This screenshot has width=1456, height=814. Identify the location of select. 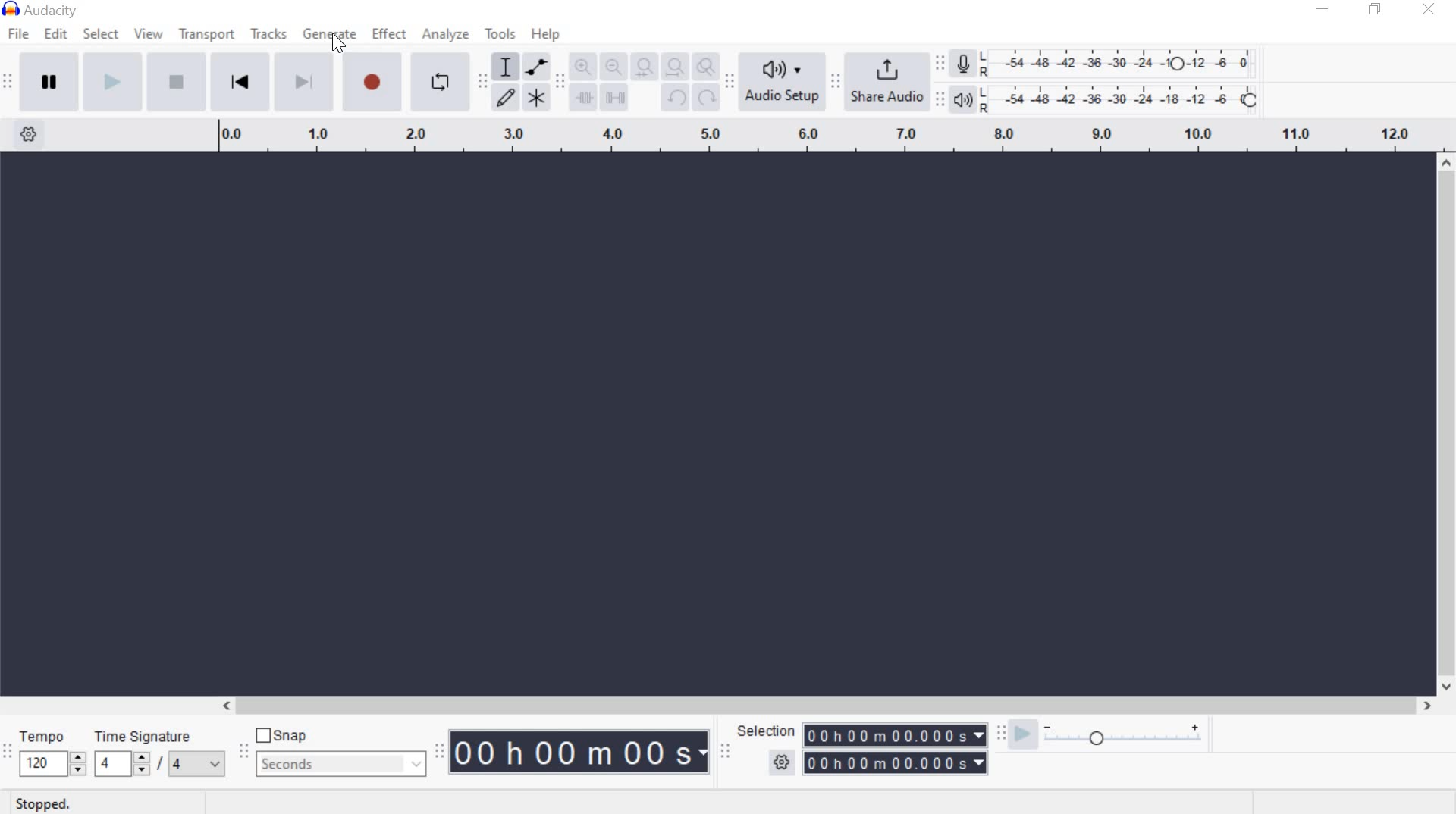
(101, 36).